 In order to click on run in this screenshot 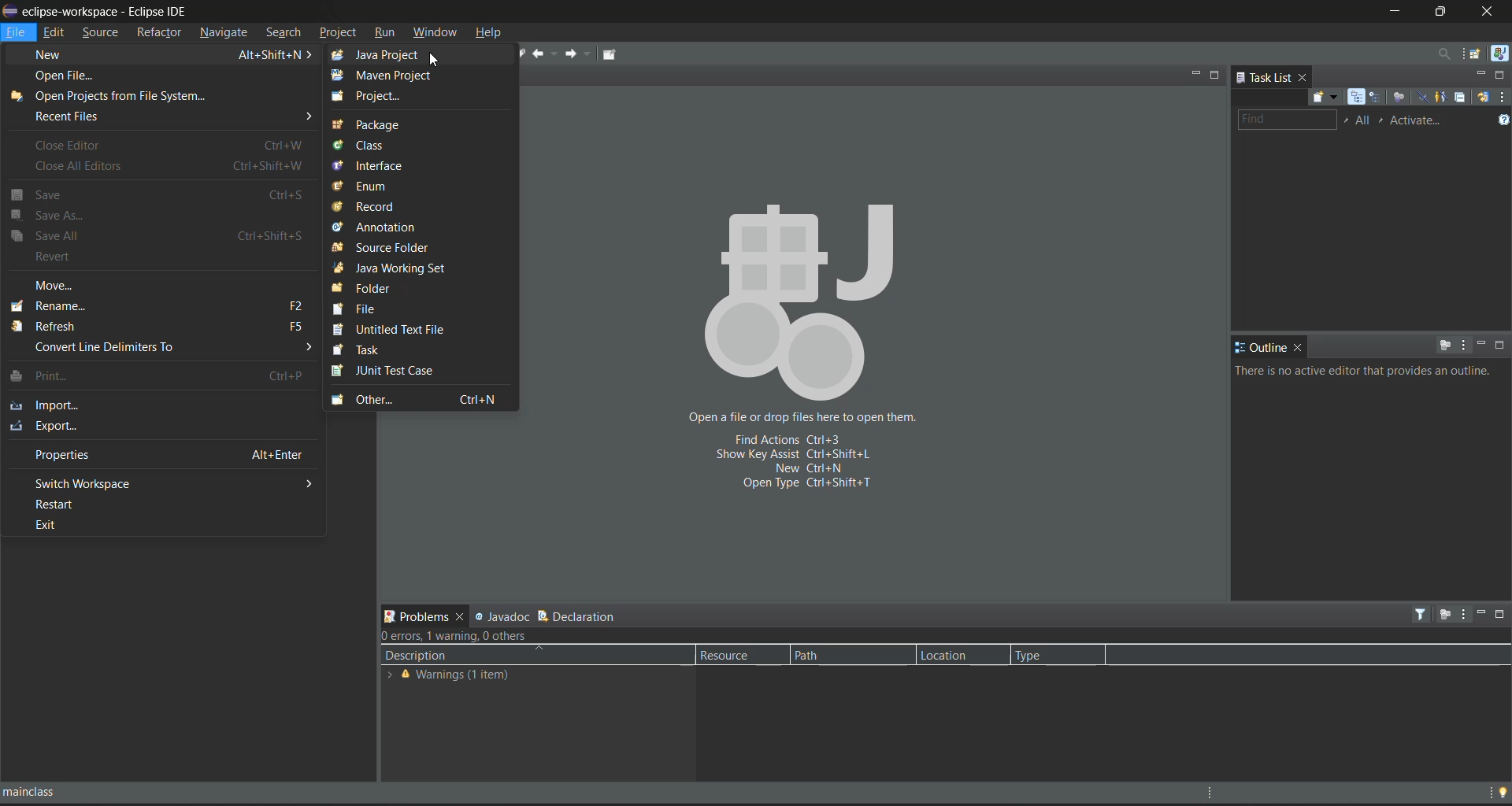, I will do `click(385, 35)`.